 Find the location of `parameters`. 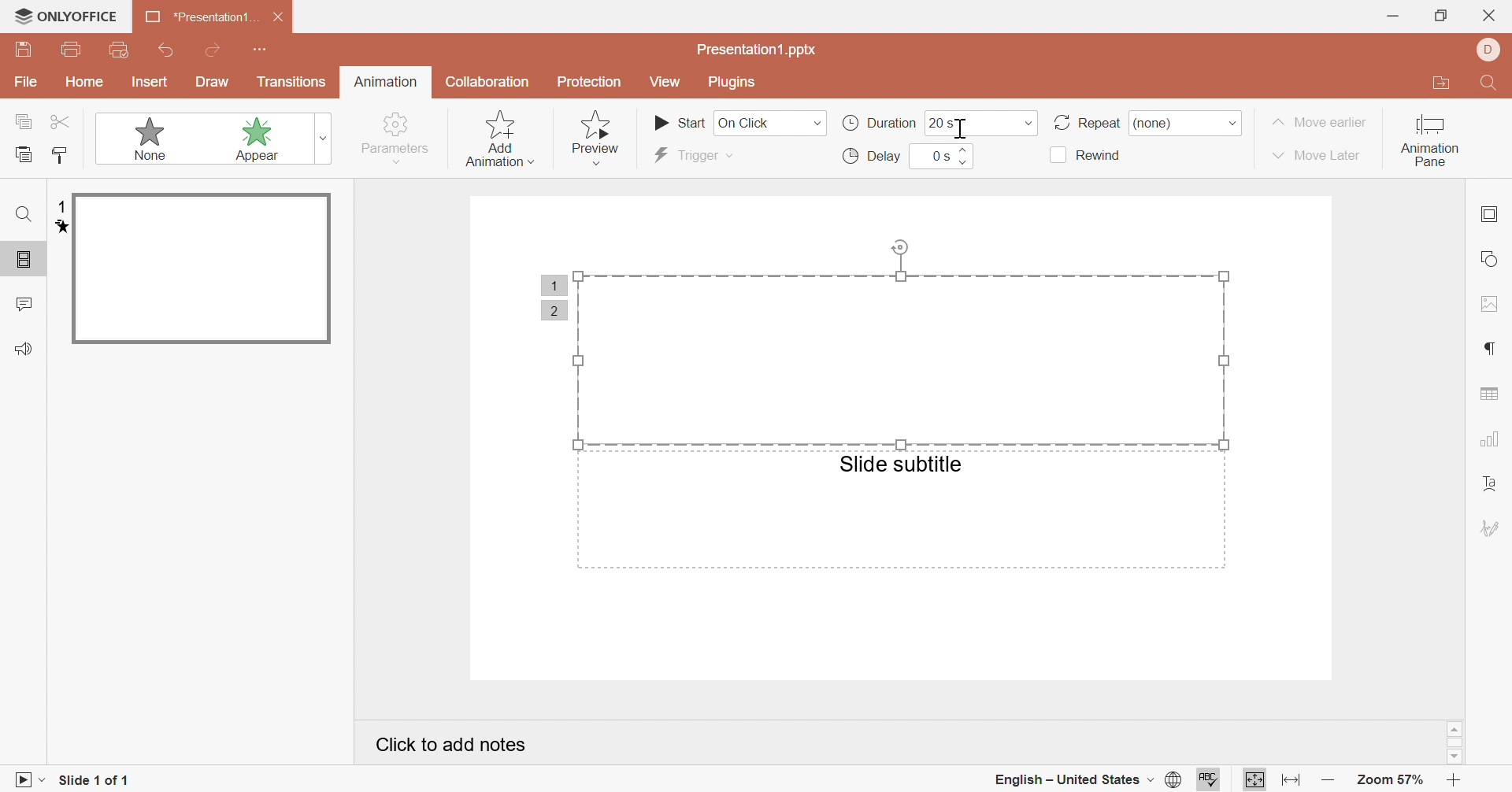

parameters is located at coordinates (397, 138).